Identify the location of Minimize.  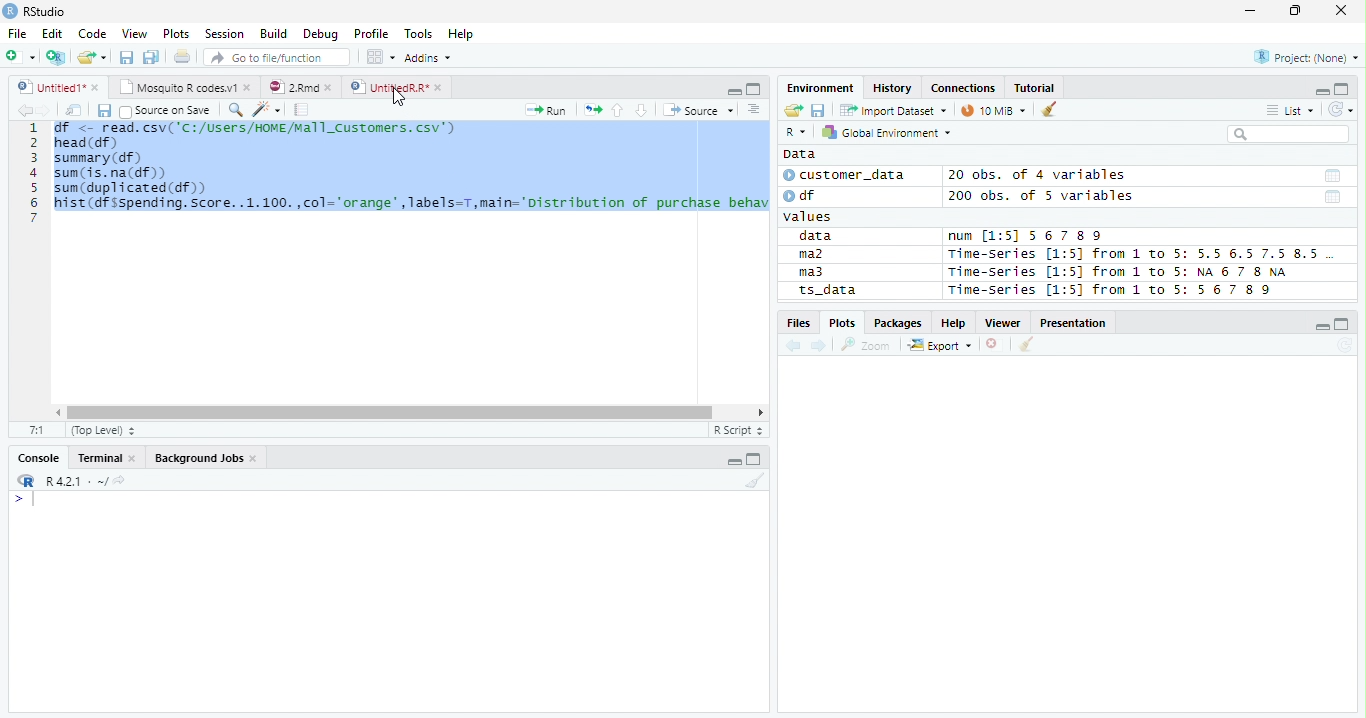
(732, 90).